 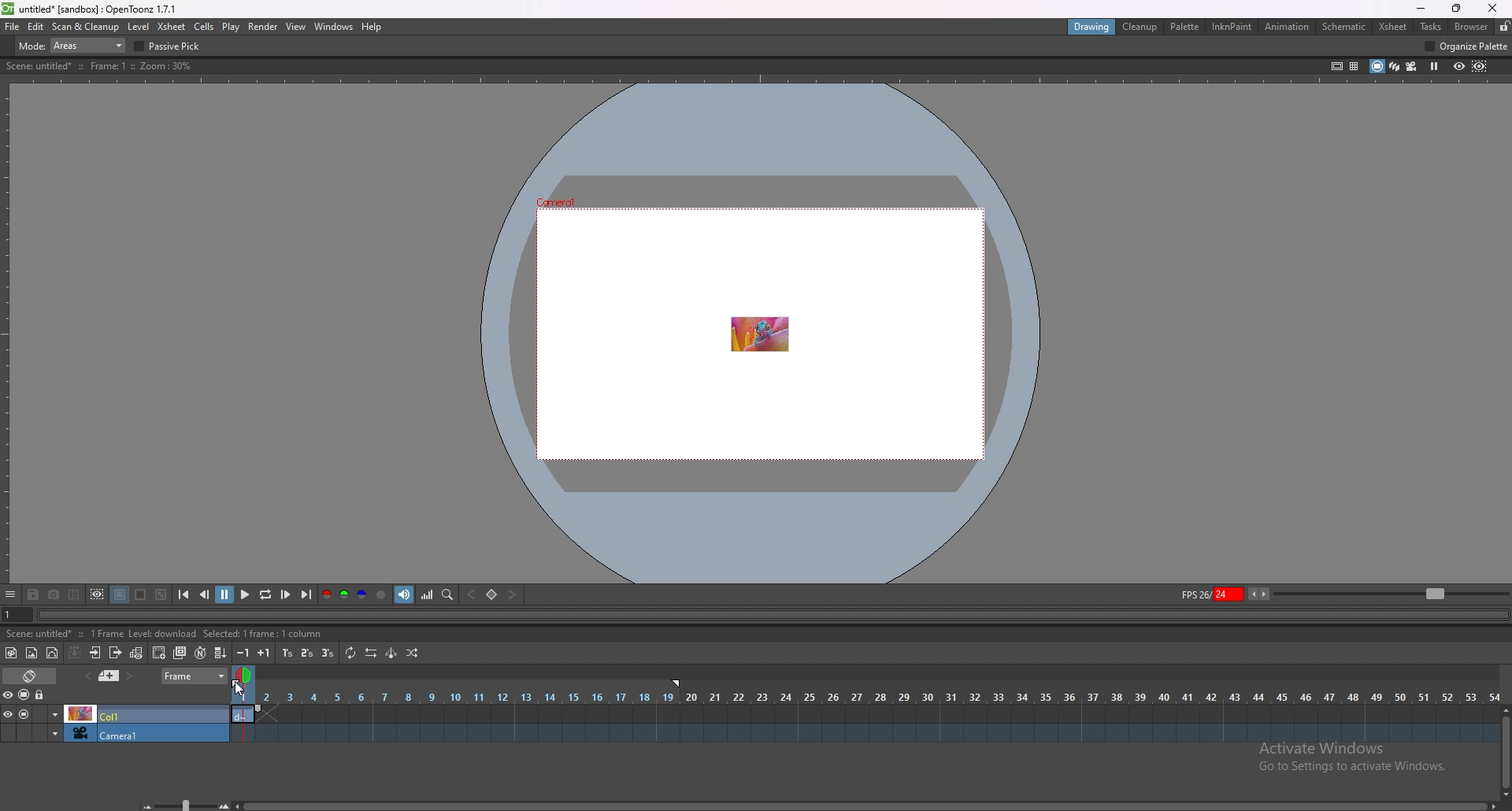 What do you see at coordinates (116, 653) in the screenshot?
I see `close subsheet` at bounding box center [116, 653].